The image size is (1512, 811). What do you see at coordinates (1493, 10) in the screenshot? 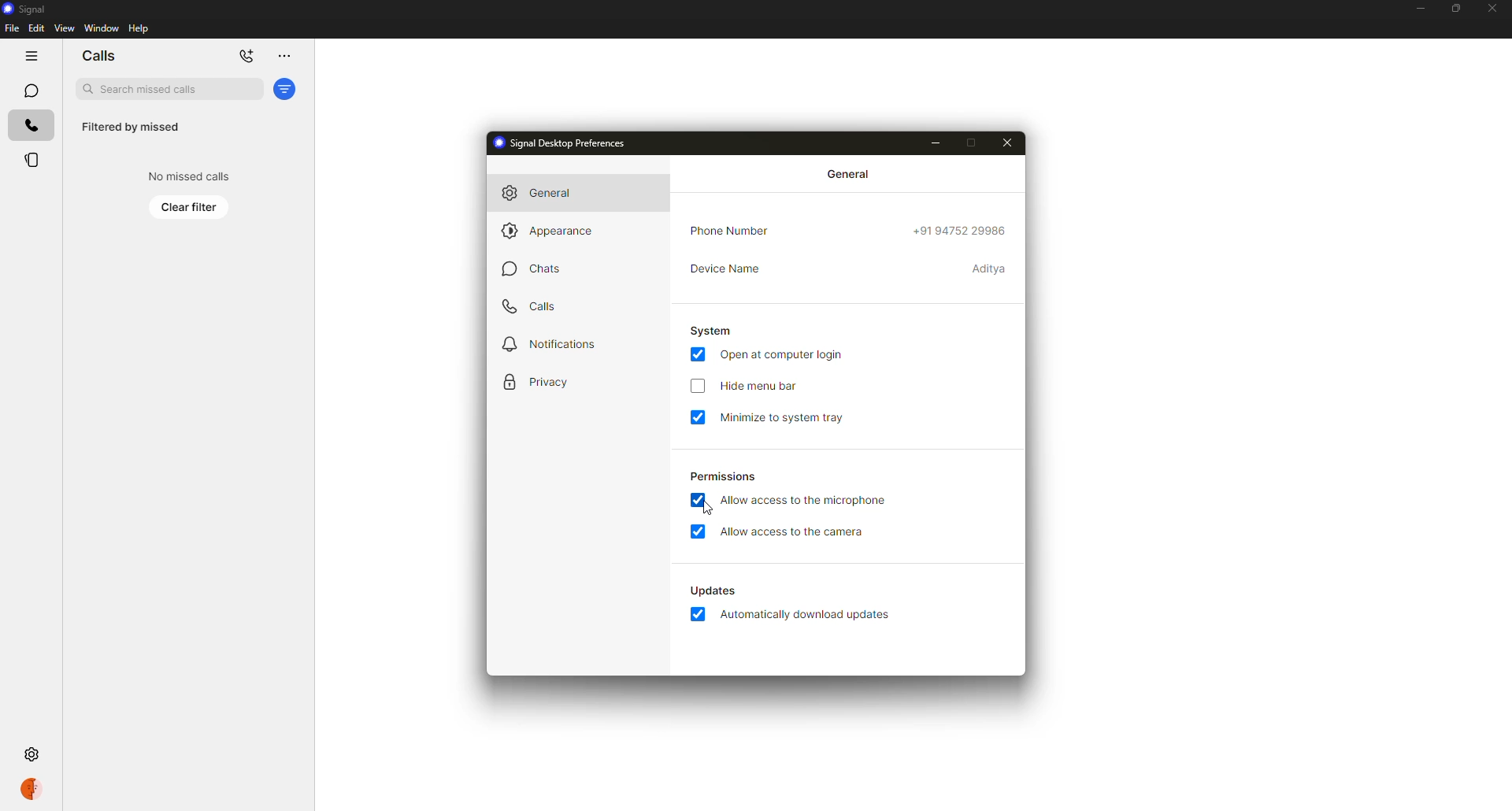
I see `close` at bounding box center [1493, 10].